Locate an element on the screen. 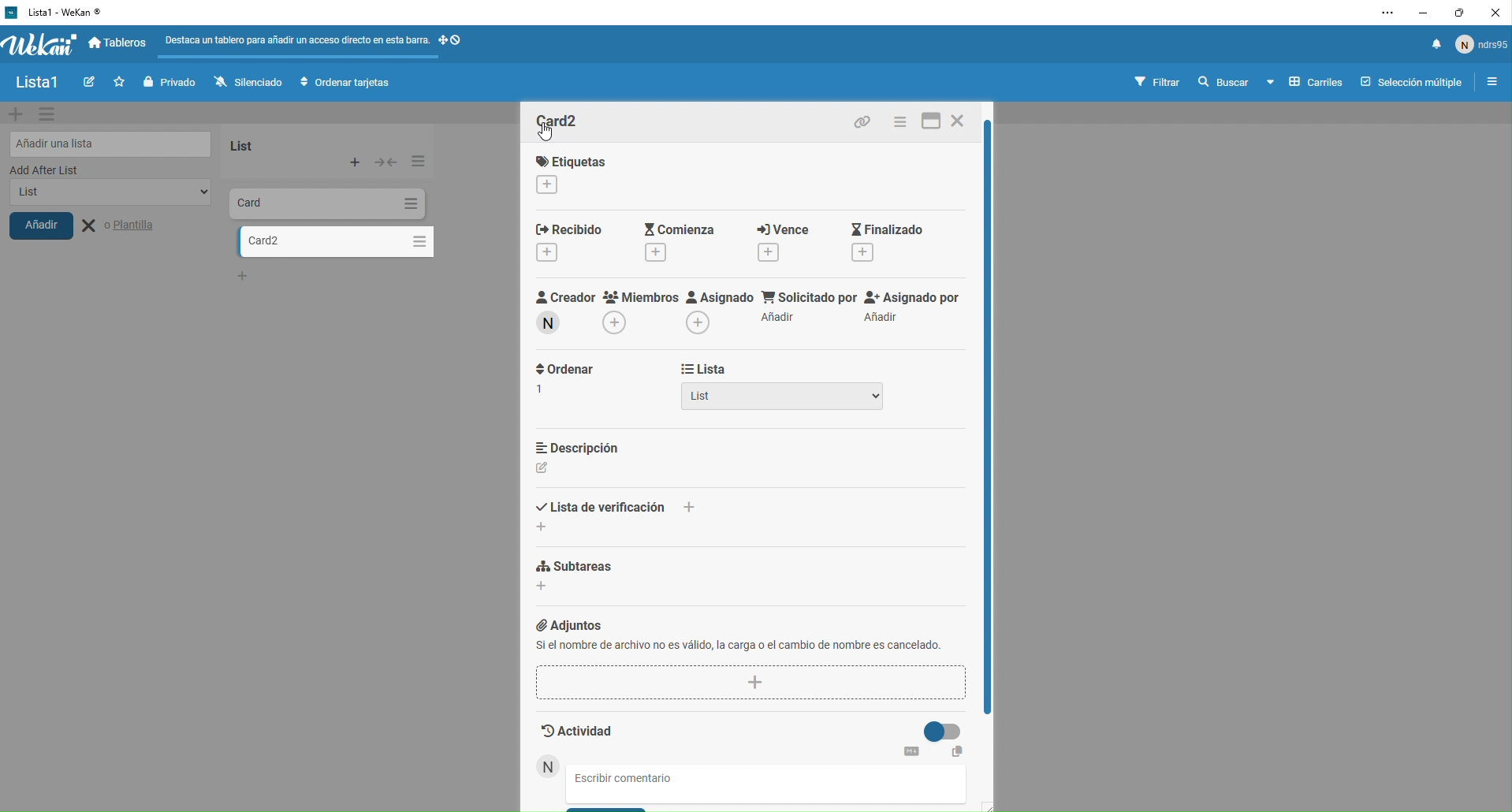 Image resolution: width=1512 pixels, height=812 pixels. maximise is located at coordinates (1461, 12).